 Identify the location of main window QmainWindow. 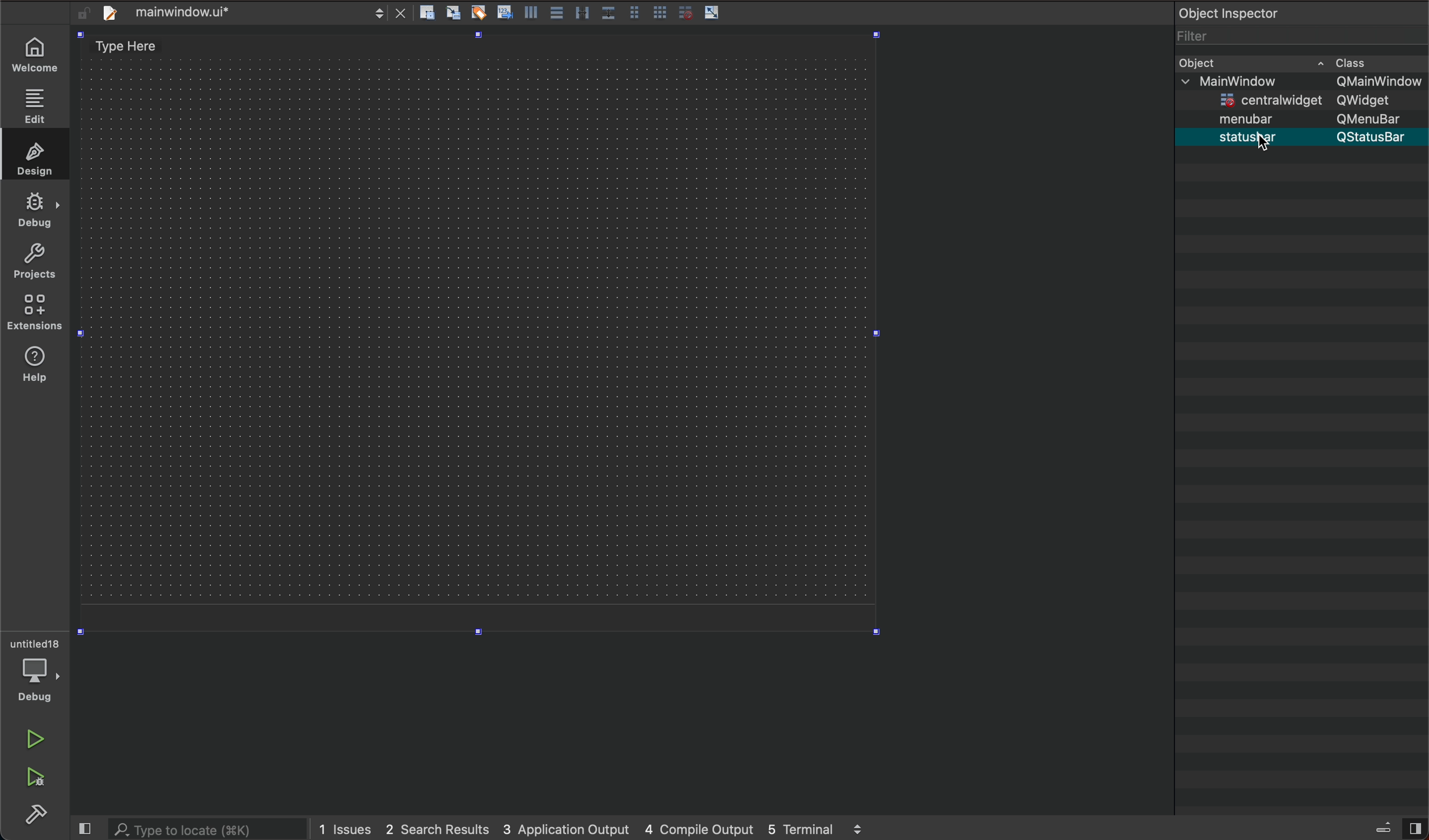
(1299, 84).